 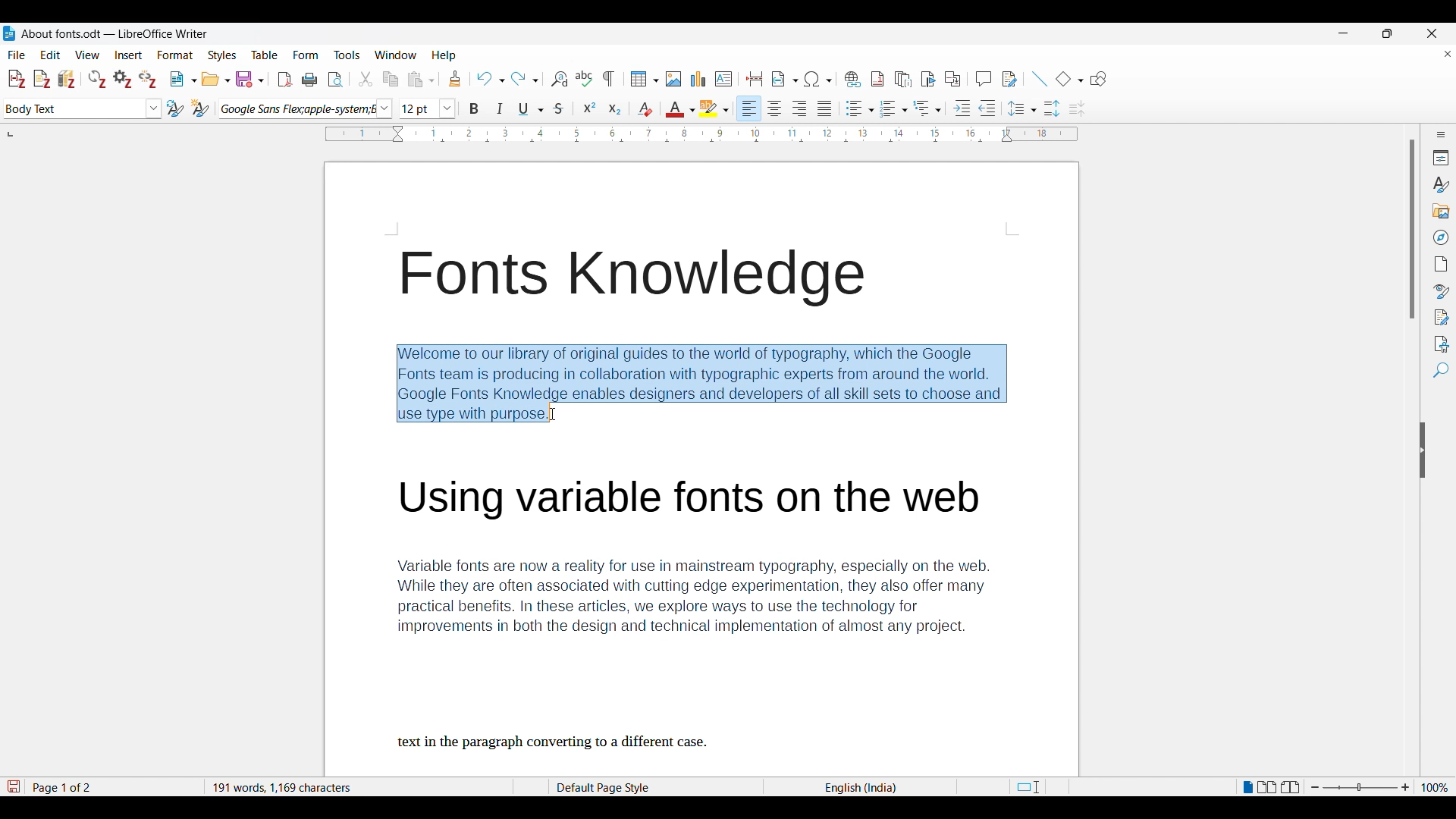 What do you see at coordinates (927, 108) in the screenshot?
I see `Select outline format` at bounding box center [927, 108].